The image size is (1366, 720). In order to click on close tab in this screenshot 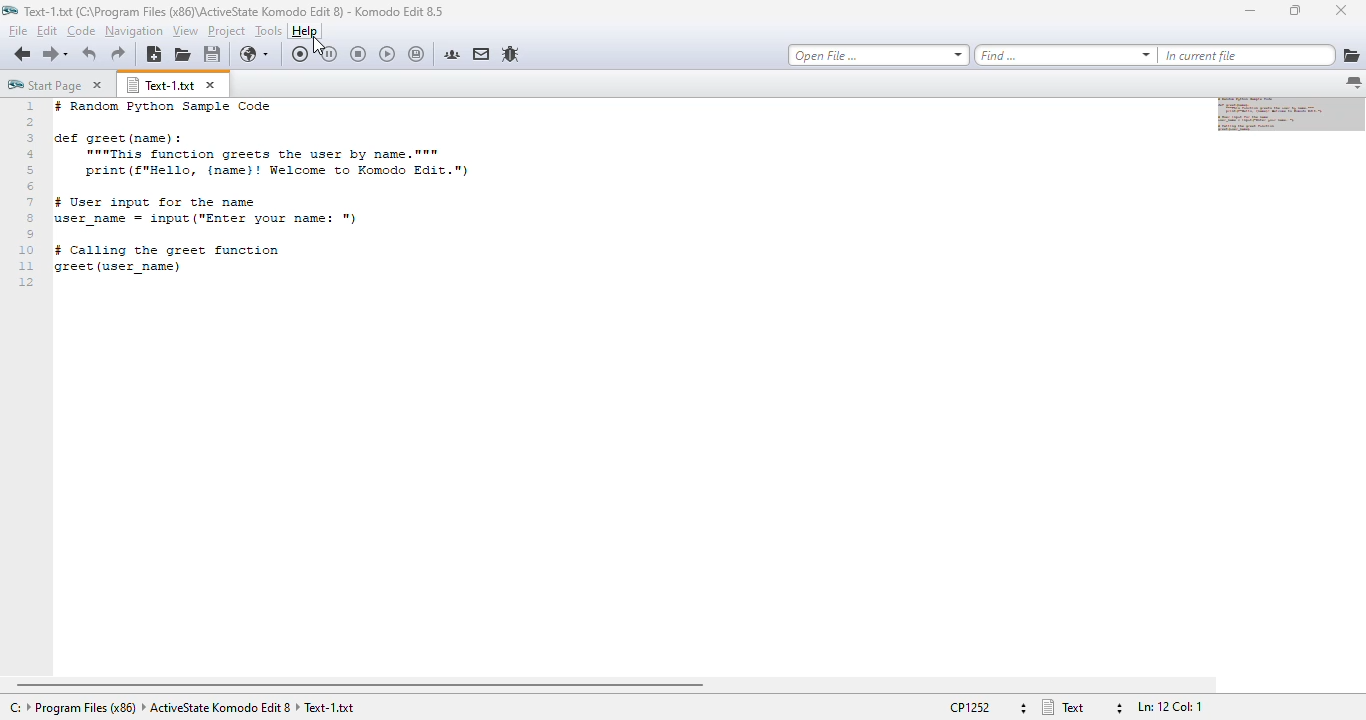, I will do `click(211, 85)`.